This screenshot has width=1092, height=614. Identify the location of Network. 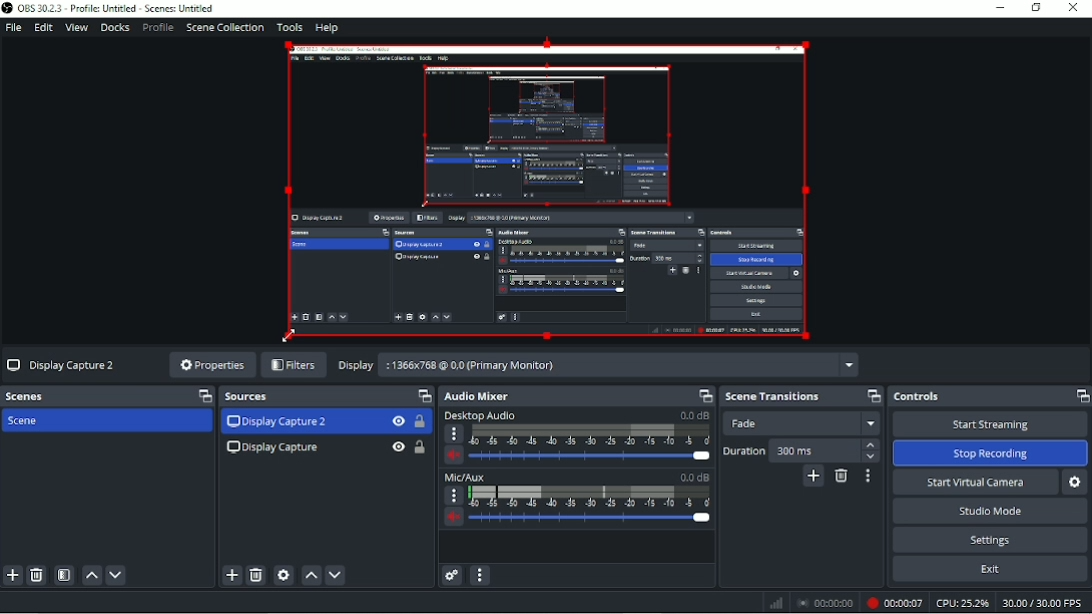
(777, 602).